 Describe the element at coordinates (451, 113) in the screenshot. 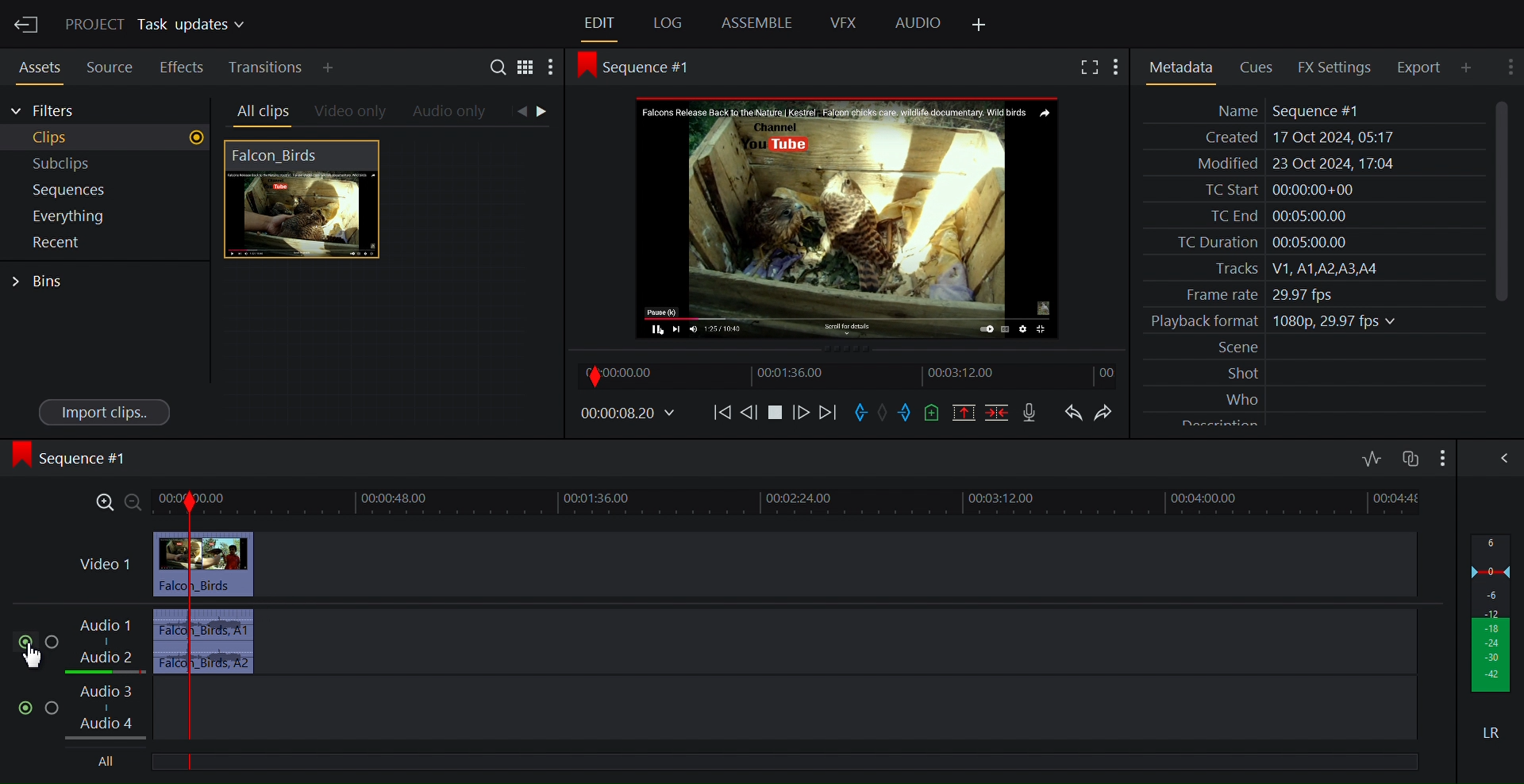

I see `Audio only` at that location.